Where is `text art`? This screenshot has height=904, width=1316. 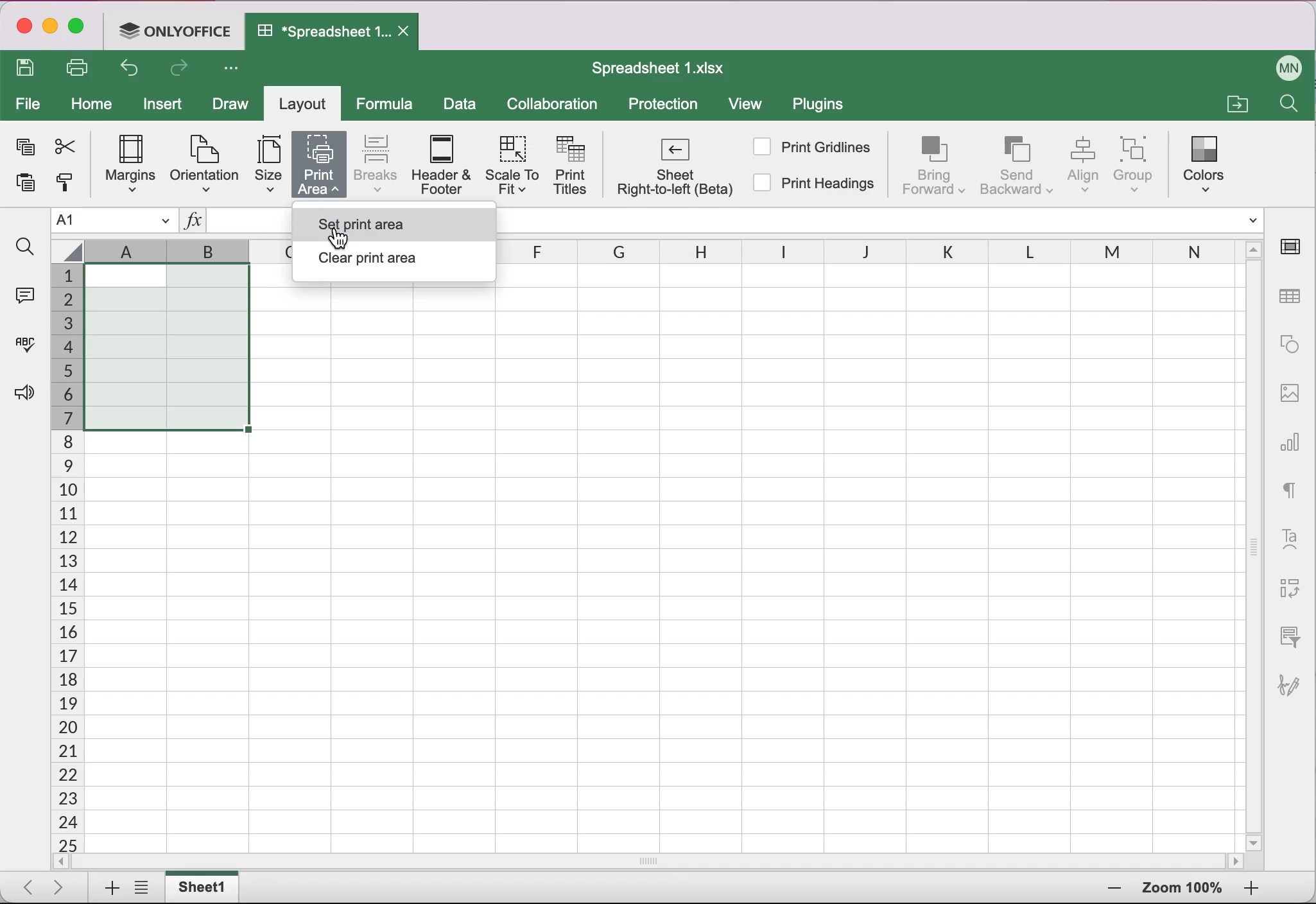
text art is located at coordinates (1290, 537).